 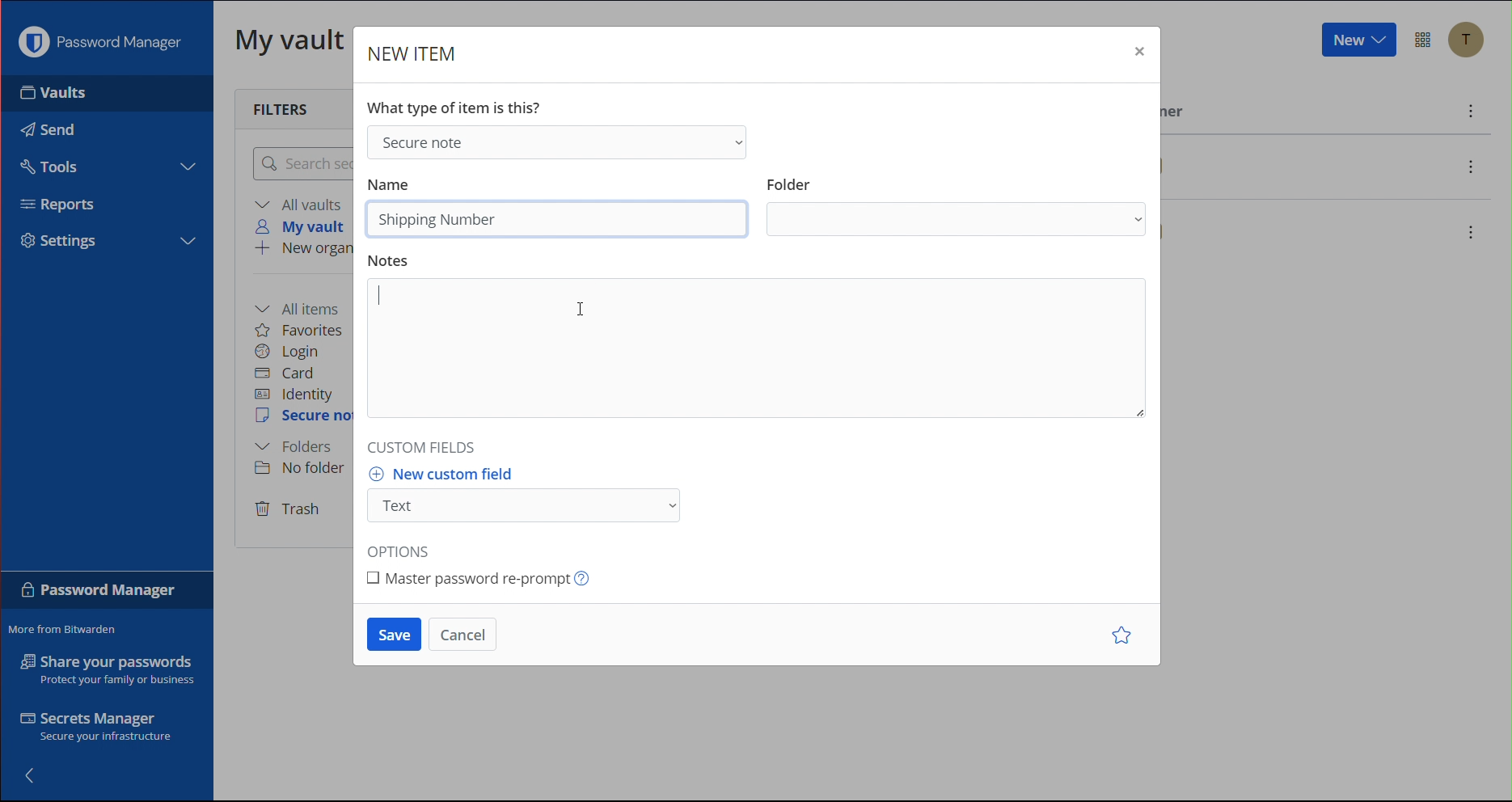 I want to click on Share your passwords, so click(x=103, y=670).